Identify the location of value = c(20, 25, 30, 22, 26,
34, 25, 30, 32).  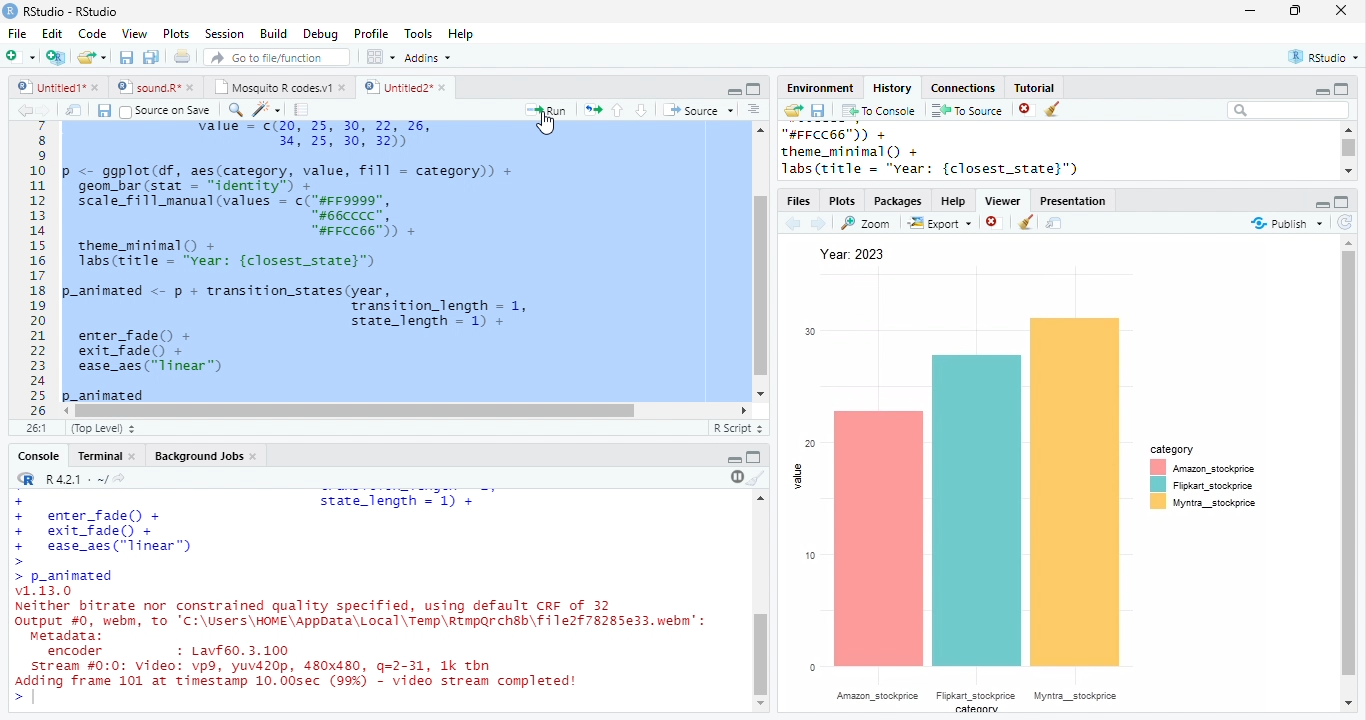
(330, 137).